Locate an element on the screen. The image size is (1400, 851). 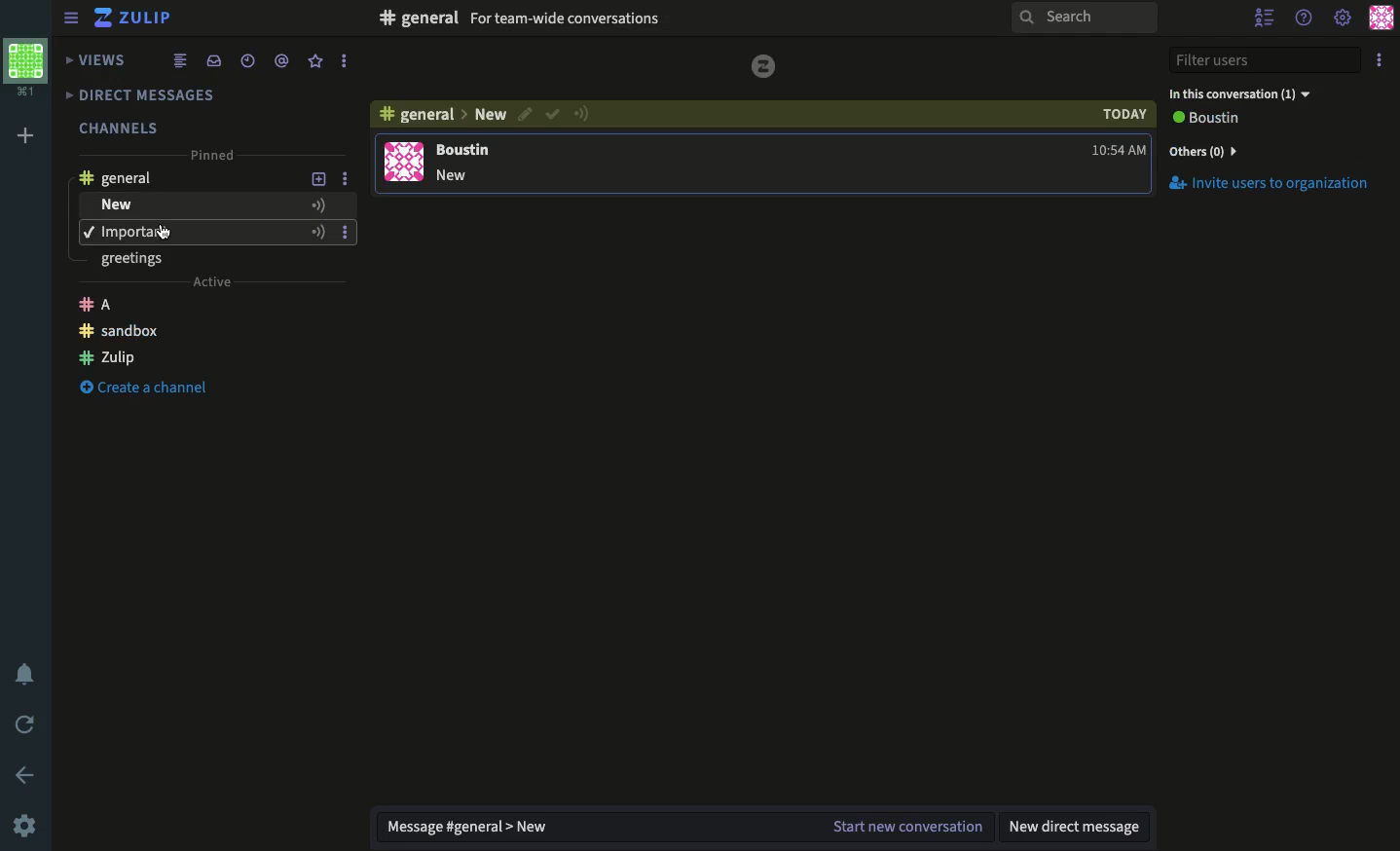
Create Channel is located at coordinates (159, 392).